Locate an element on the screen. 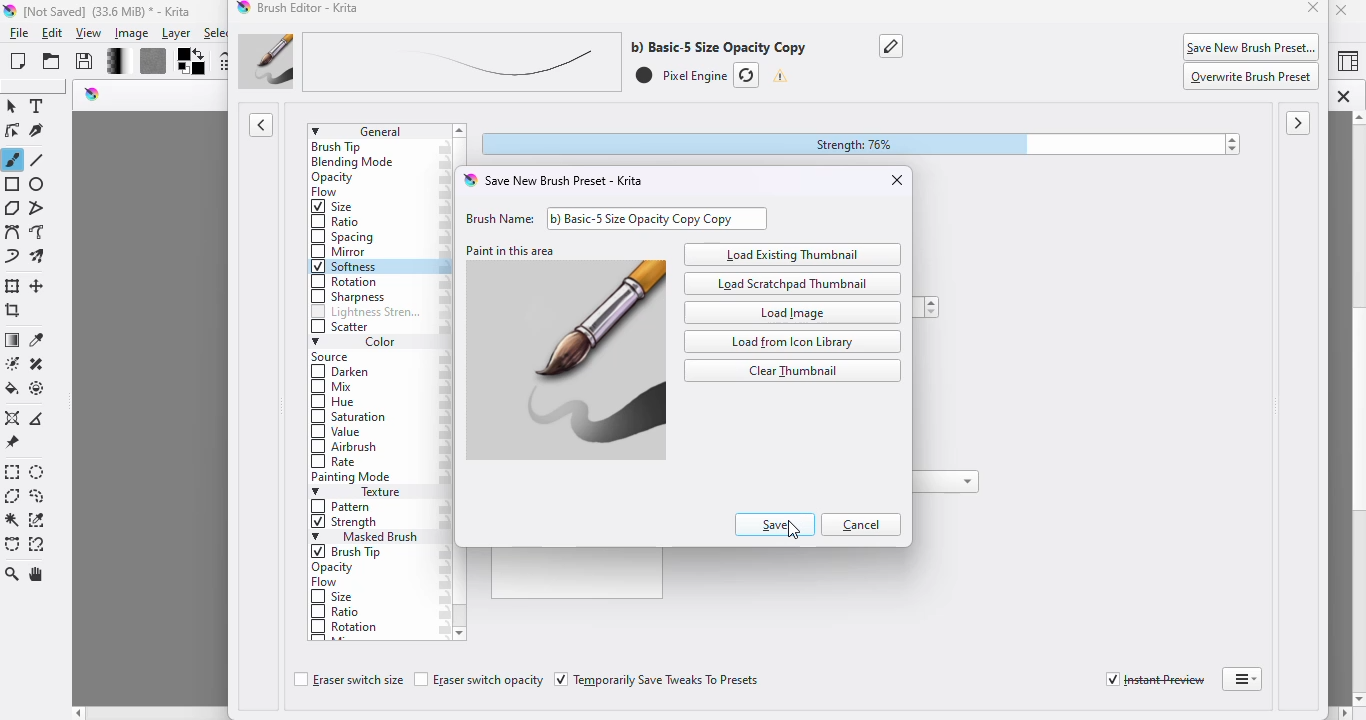 This screenshot has height=720, width=1366. darken is located at coordinates (342, 373).